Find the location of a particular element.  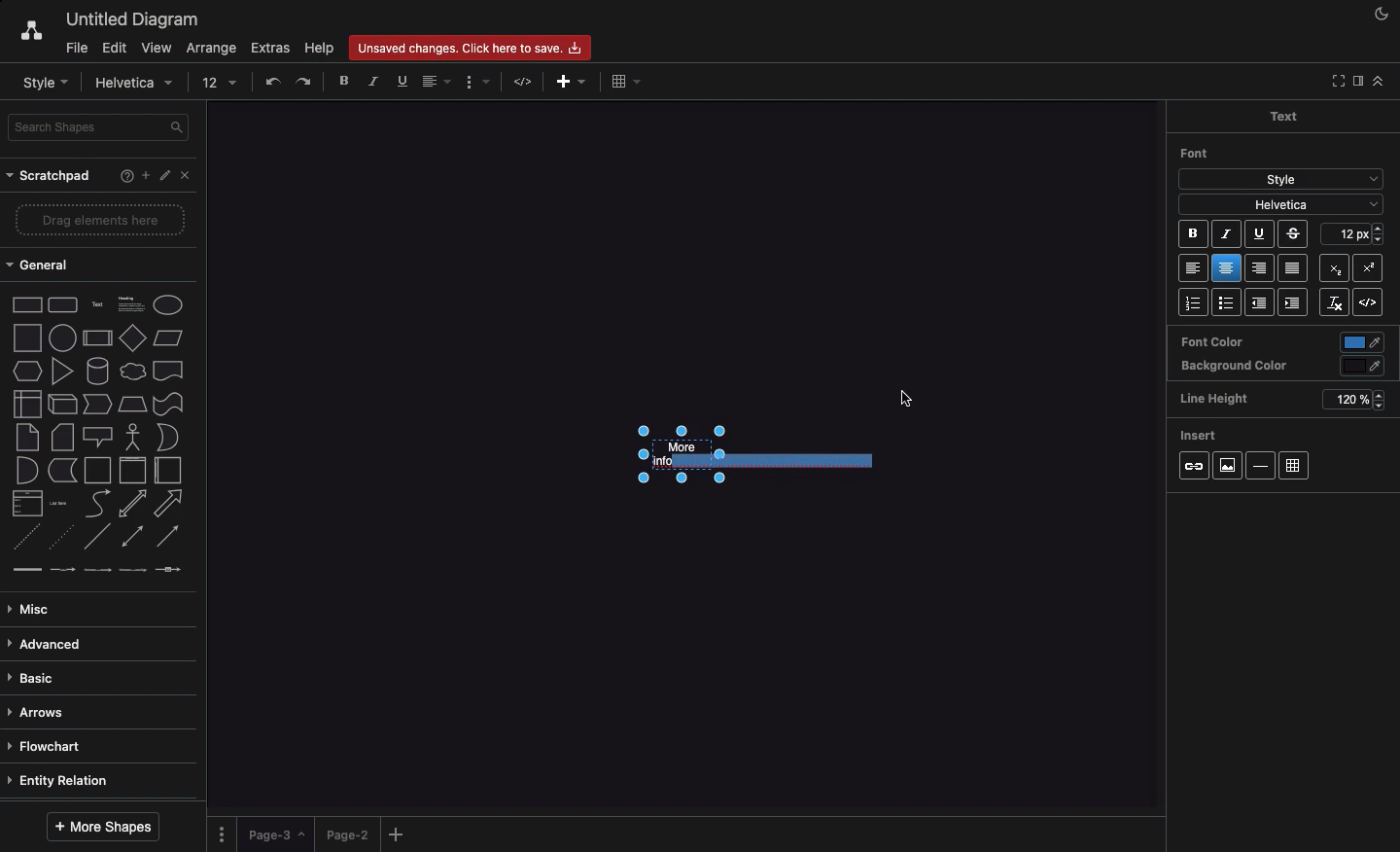

Heading is located at coordinates (133, 302).